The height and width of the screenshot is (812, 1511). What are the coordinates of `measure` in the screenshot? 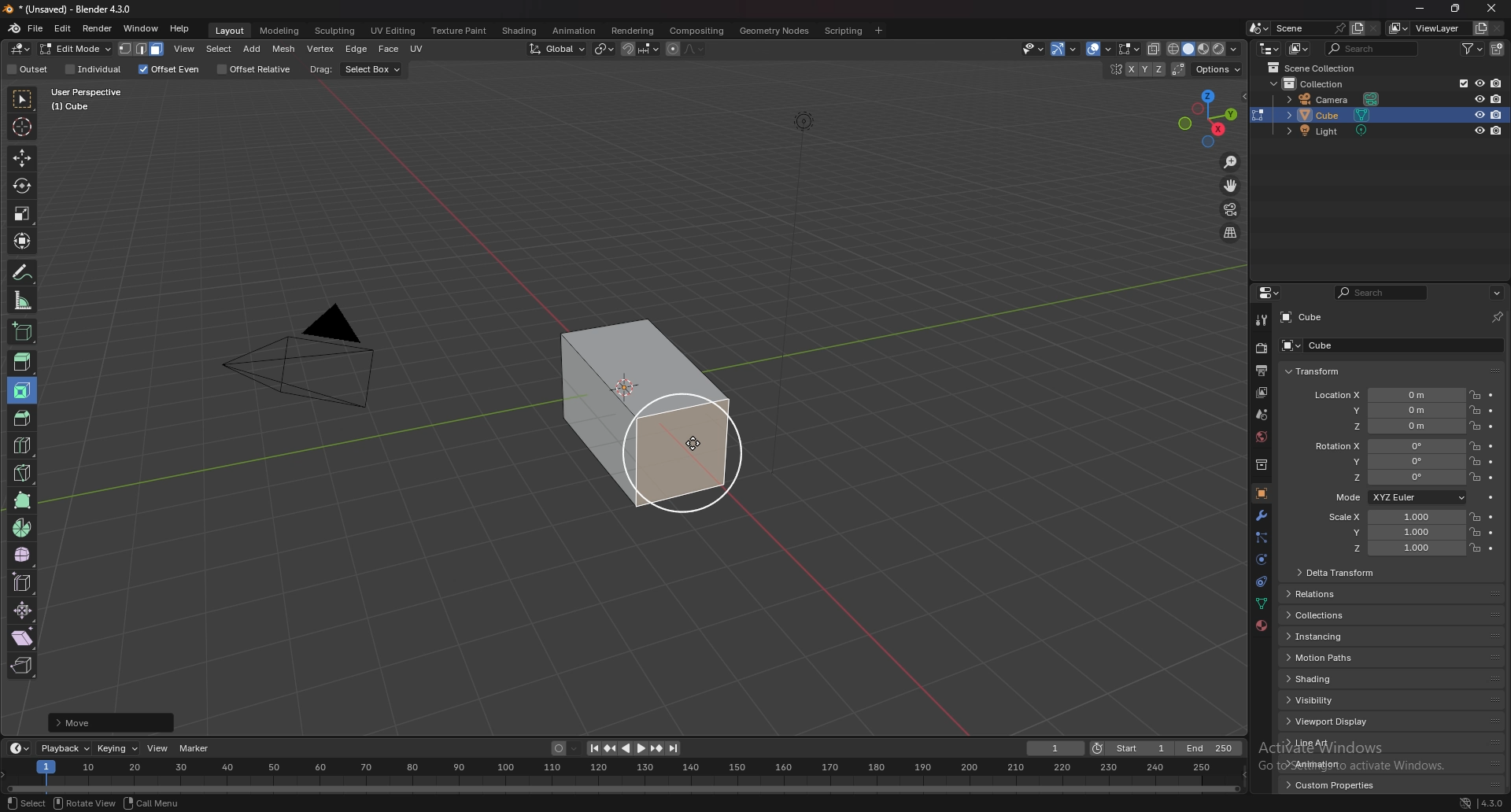 It's located at (24, 300).